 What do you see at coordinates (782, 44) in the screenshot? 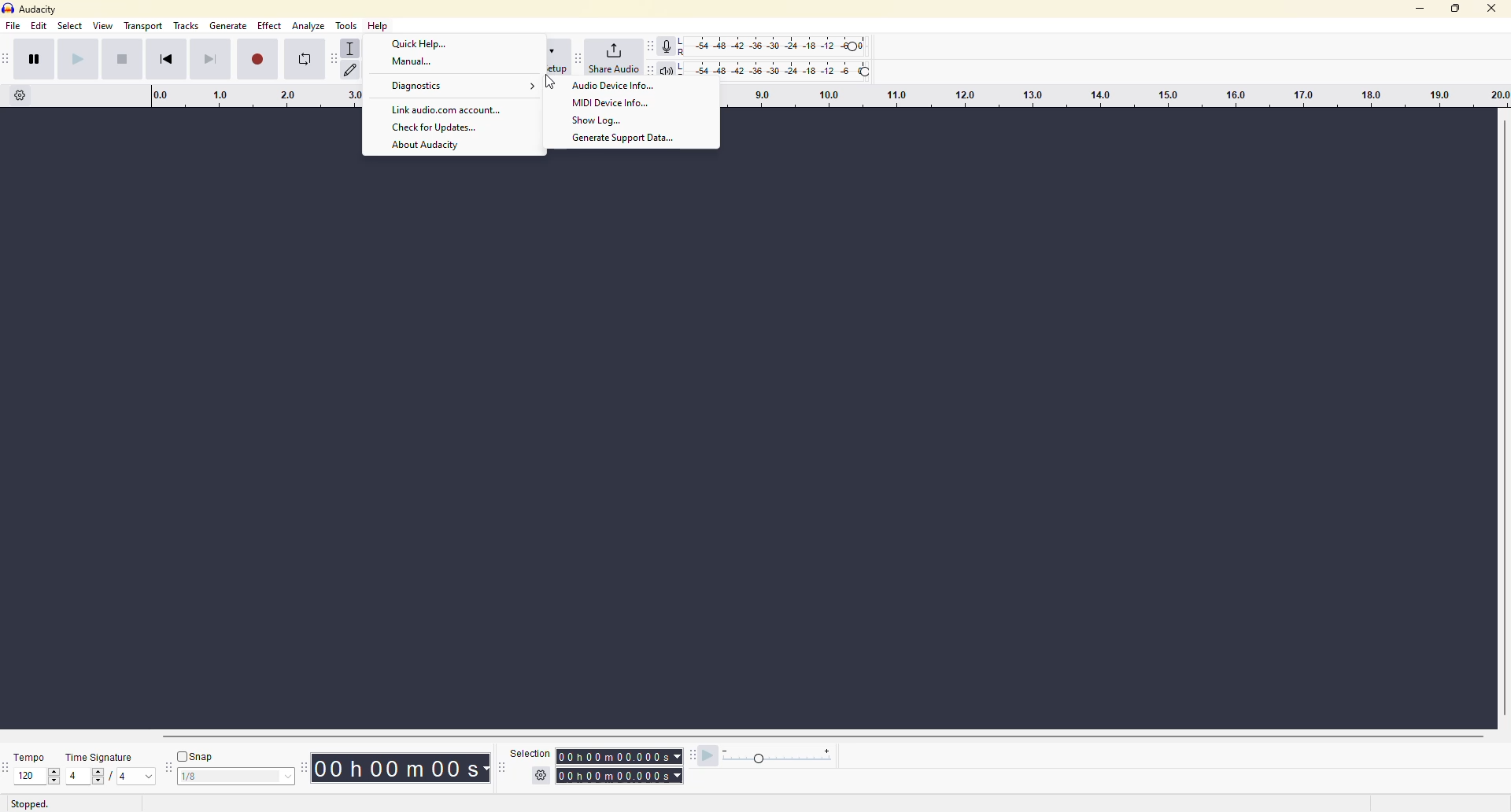
I see `recording level` at bounding box center [782, 44].